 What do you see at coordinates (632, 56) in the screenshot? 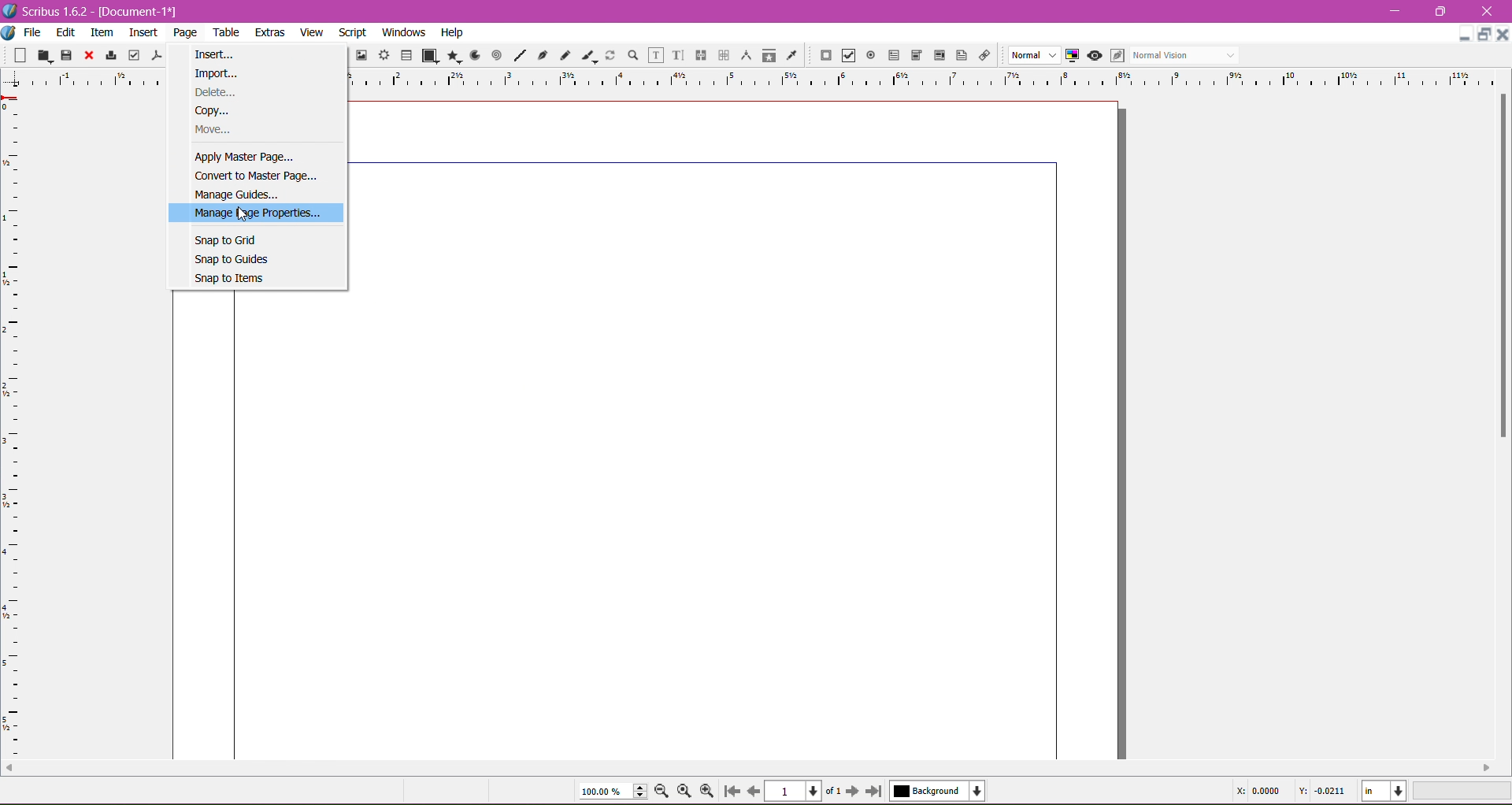
I see `Zoom In or Out` at bounding box center [632, 56].